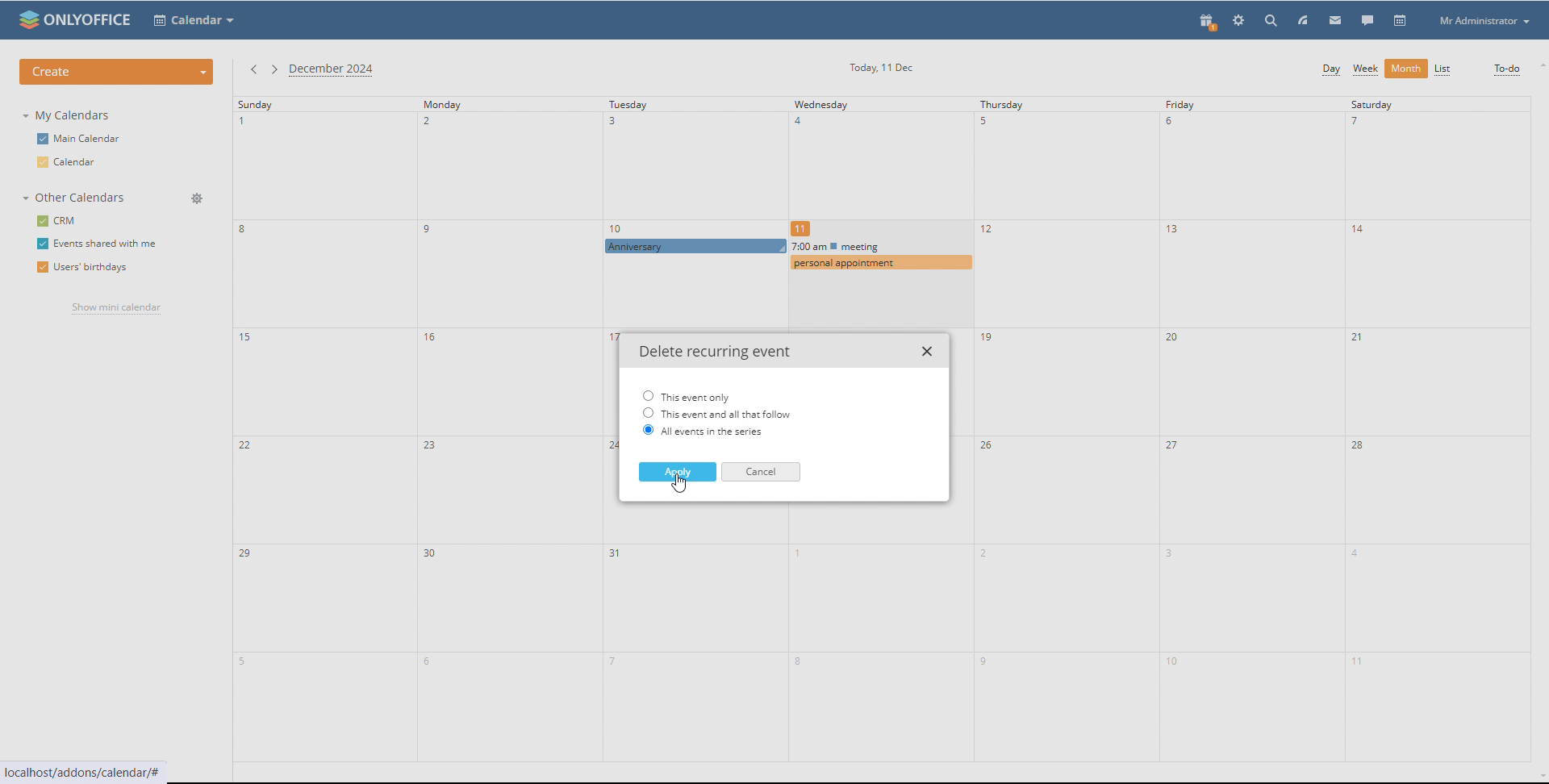 This screenshot has height=784, width=1549. I want to click on current month, so click(335, 71).